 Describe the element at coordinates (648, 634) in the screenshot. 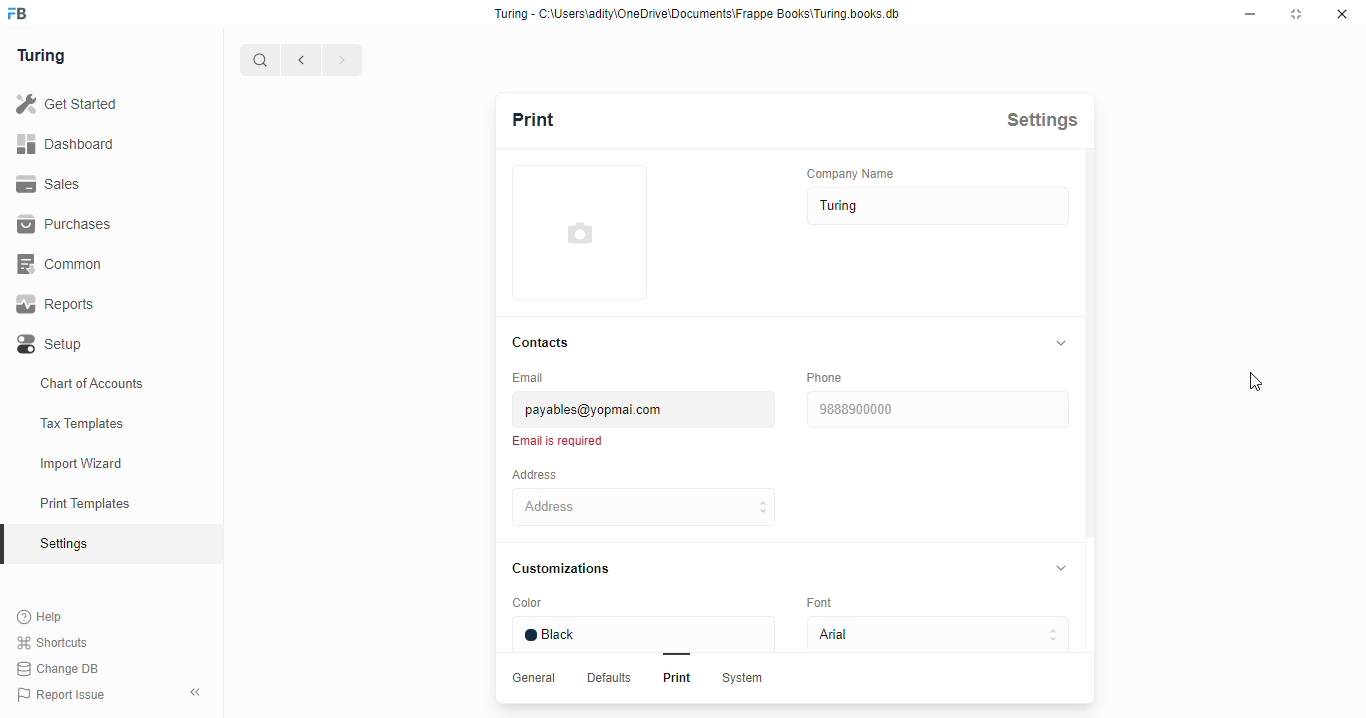

I see `Black` at that location.